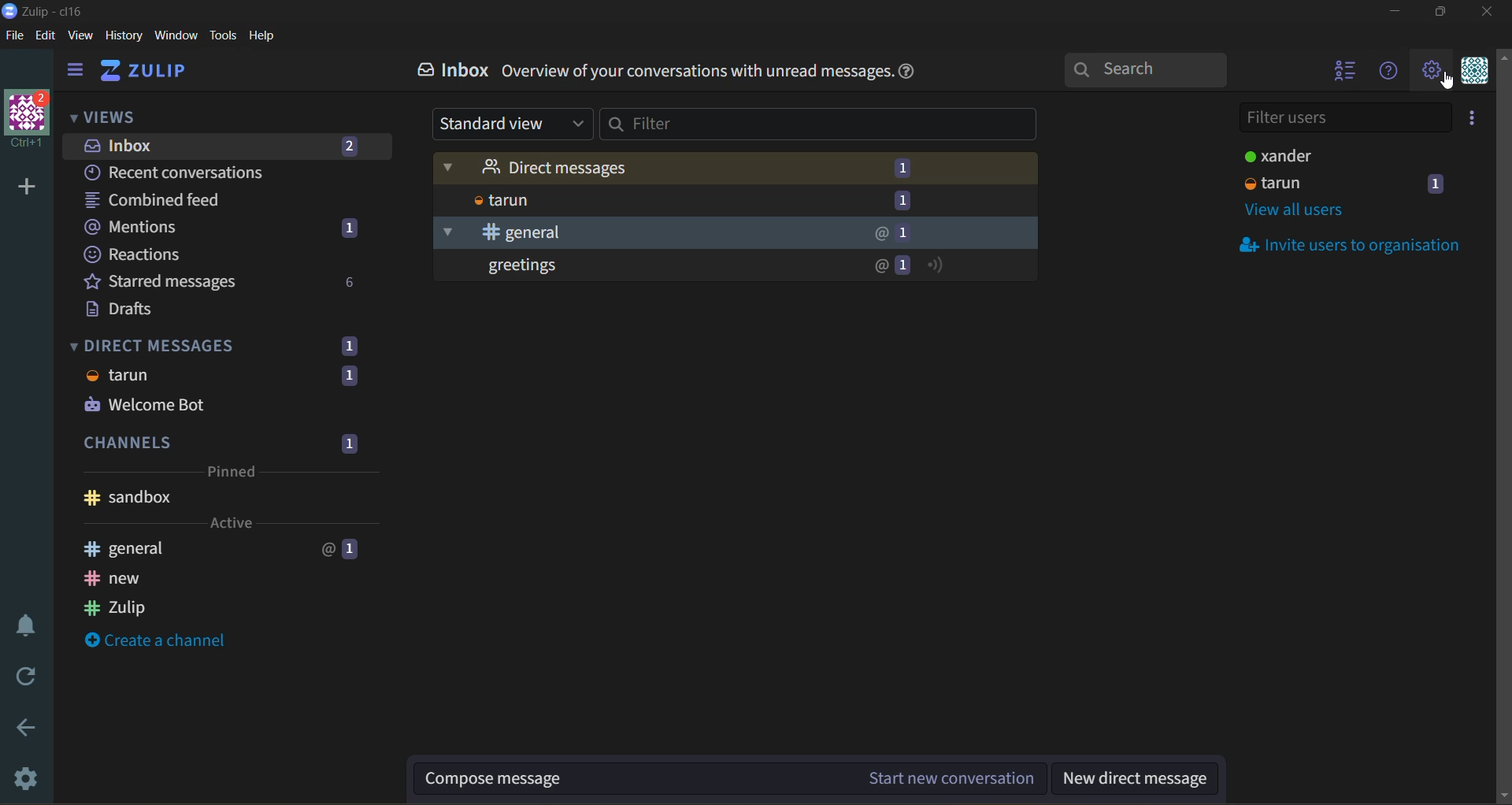 This screenshot has width=1512, height=805. I want to click on new direct message, so click(1133, 781).